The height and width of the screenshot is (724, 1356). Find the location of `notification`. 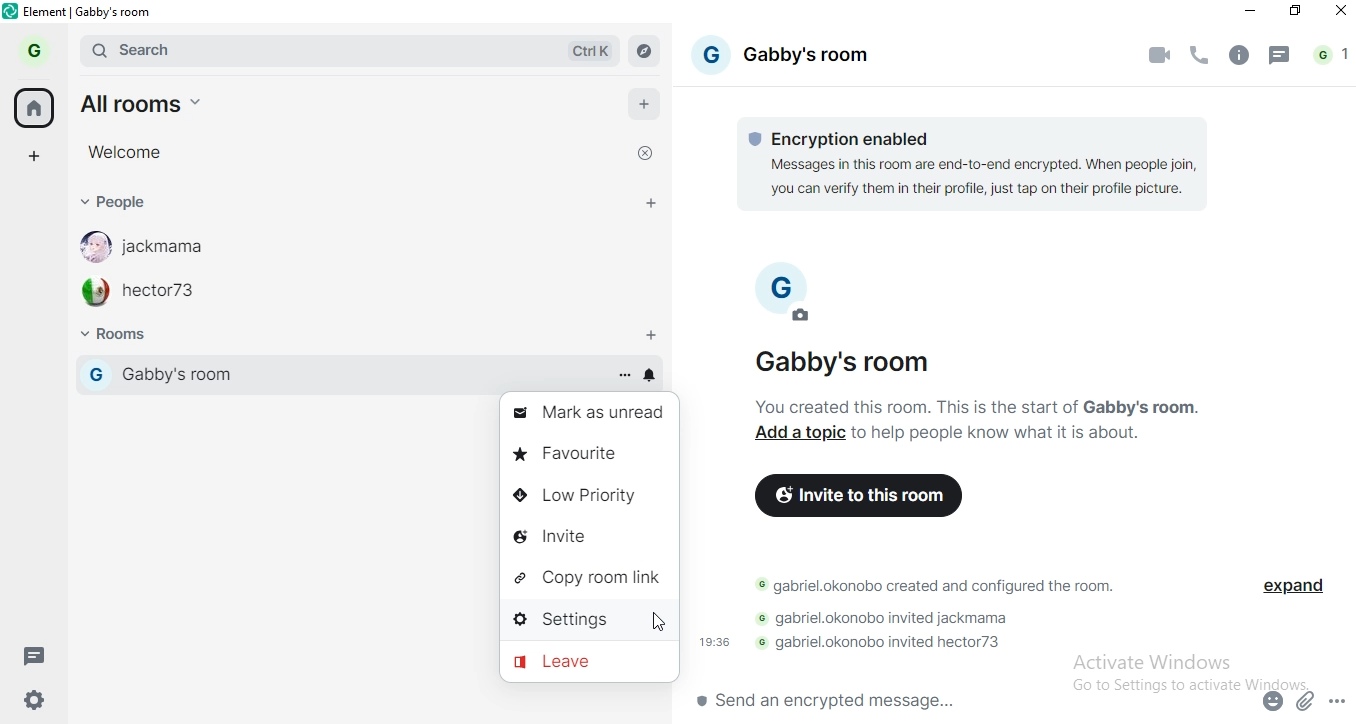

notification is located at coordinates (649, 376).